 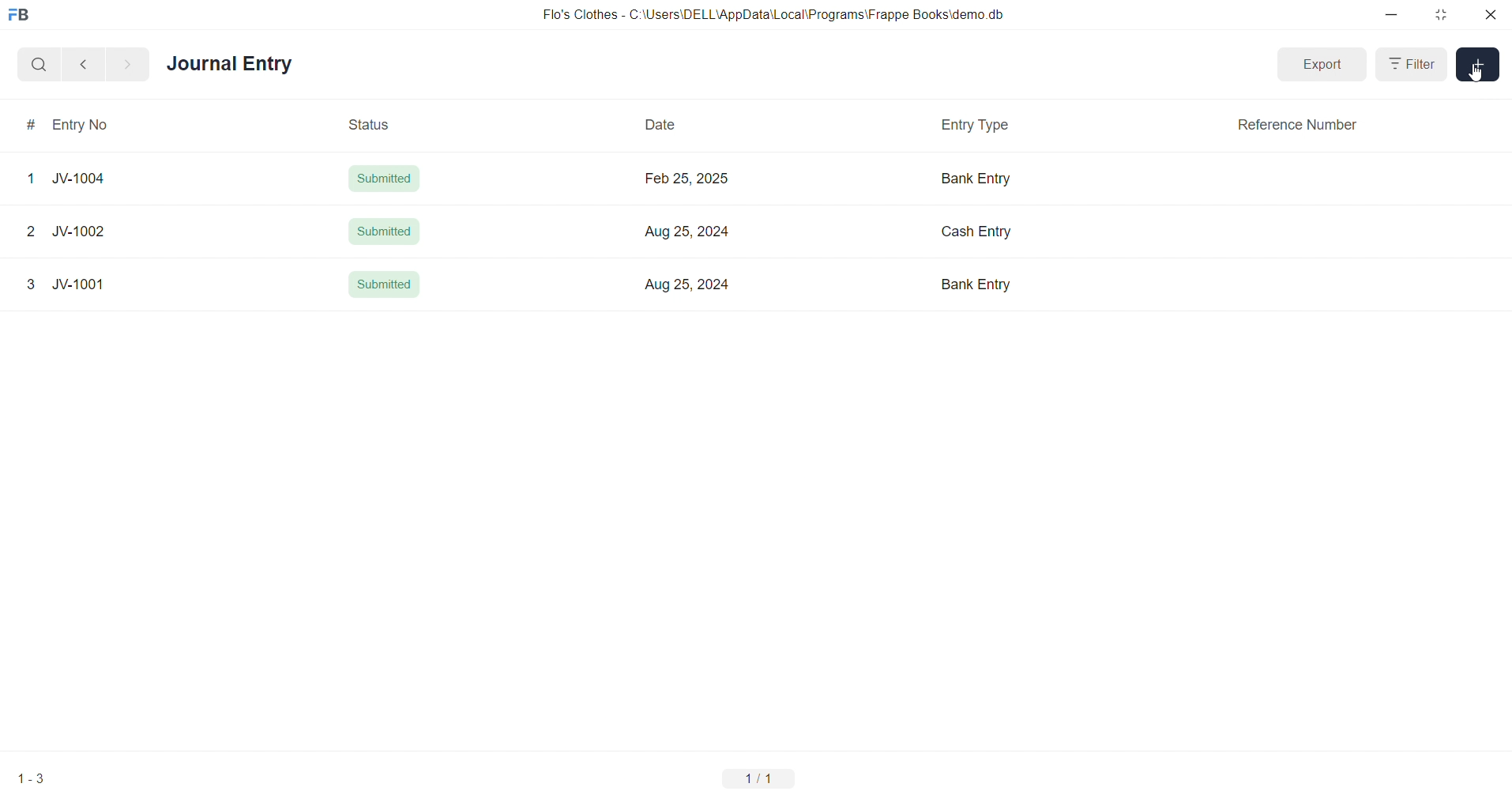 I want to click on JV-1002, so click(x=78, y=230).